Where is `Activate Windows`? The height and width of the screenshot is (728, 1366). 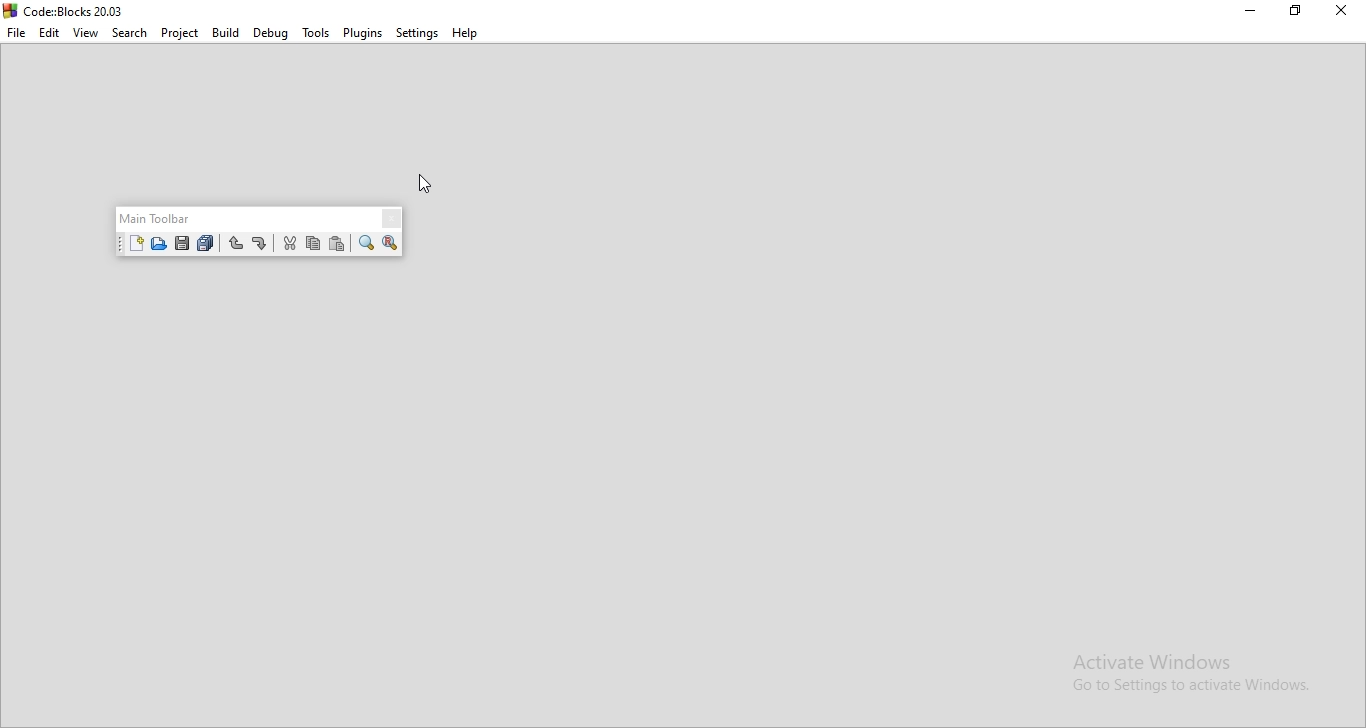
Activate Windows is located at coordinates (1153, 662).